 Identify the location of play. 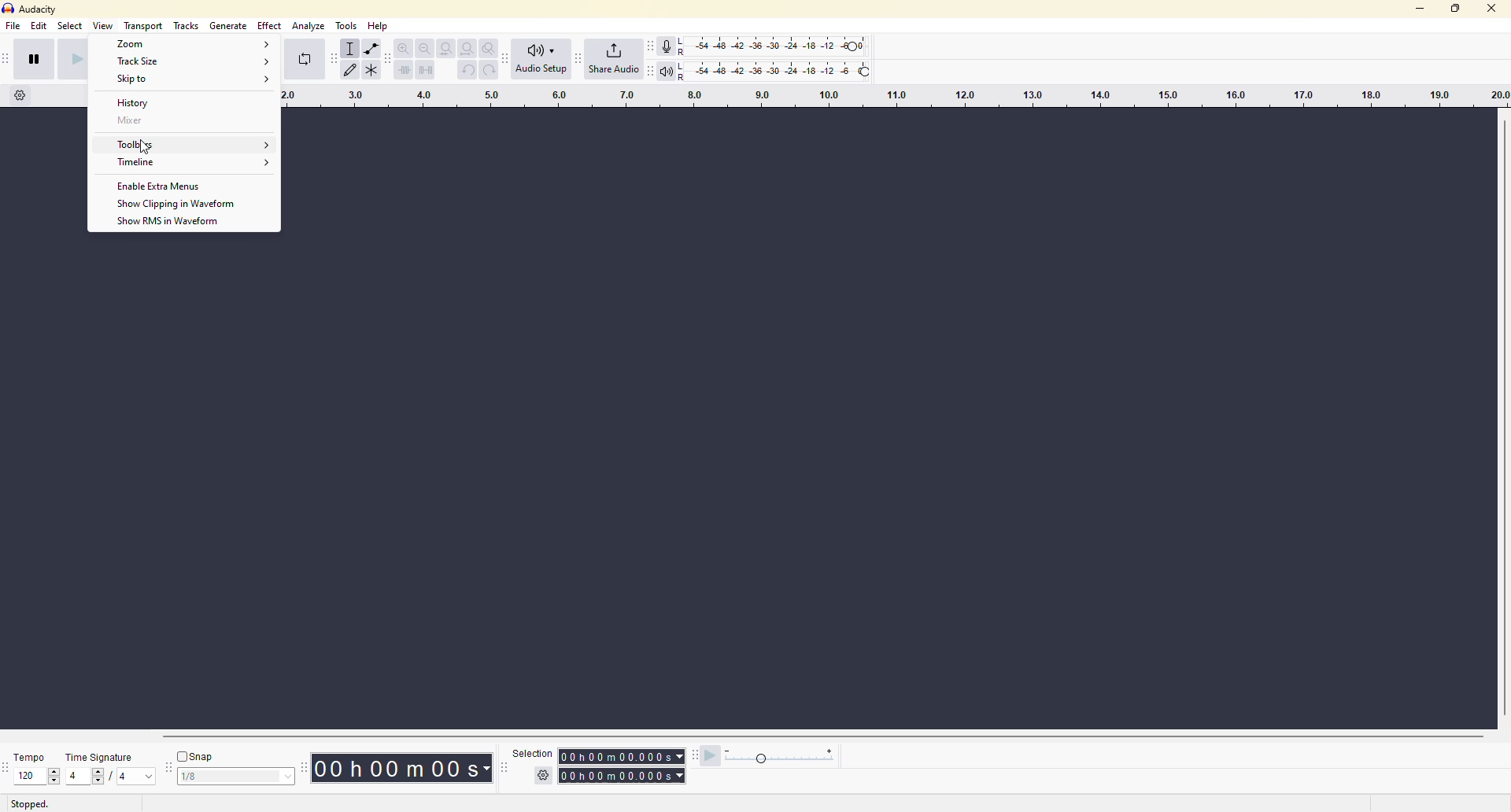
(72, 59).